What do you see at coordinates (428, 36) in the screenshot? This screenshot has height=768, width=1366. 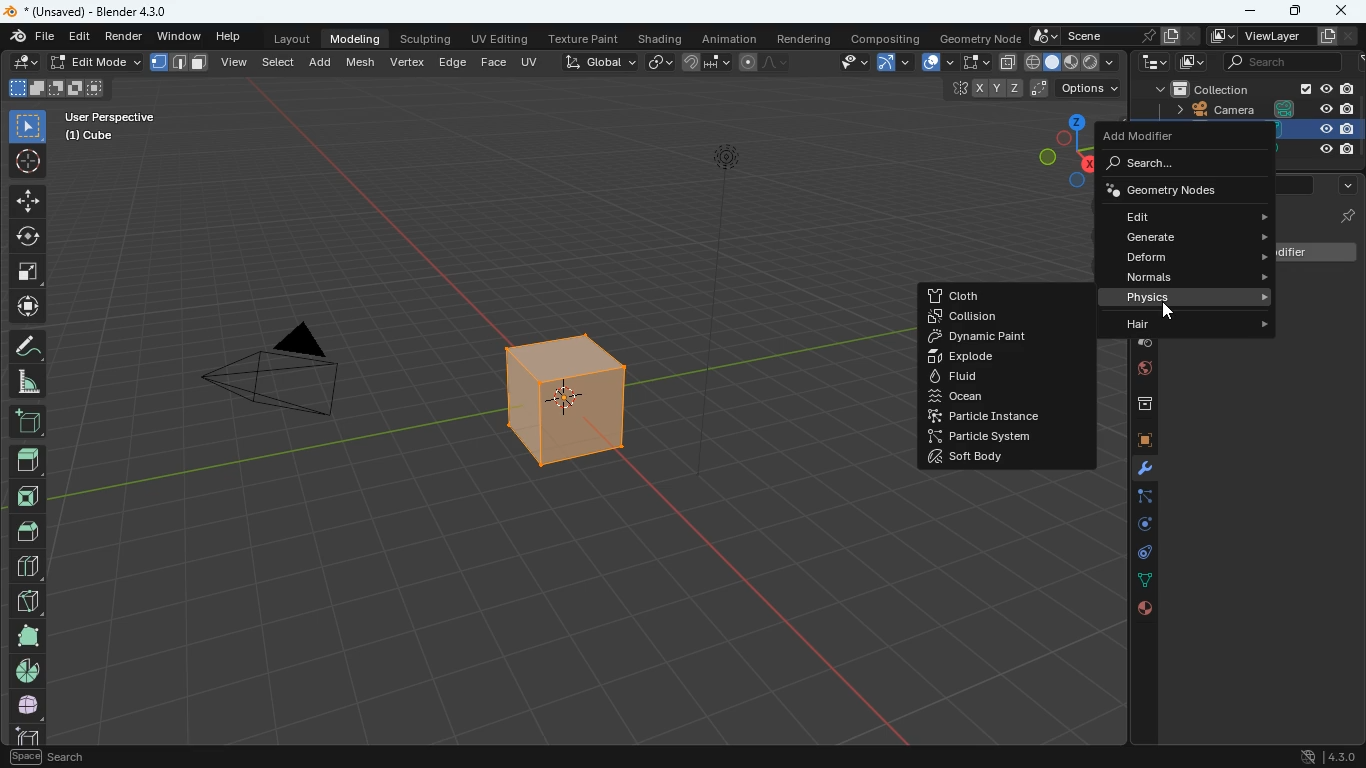 I see `sculpting` at bounding box center [428, 36].